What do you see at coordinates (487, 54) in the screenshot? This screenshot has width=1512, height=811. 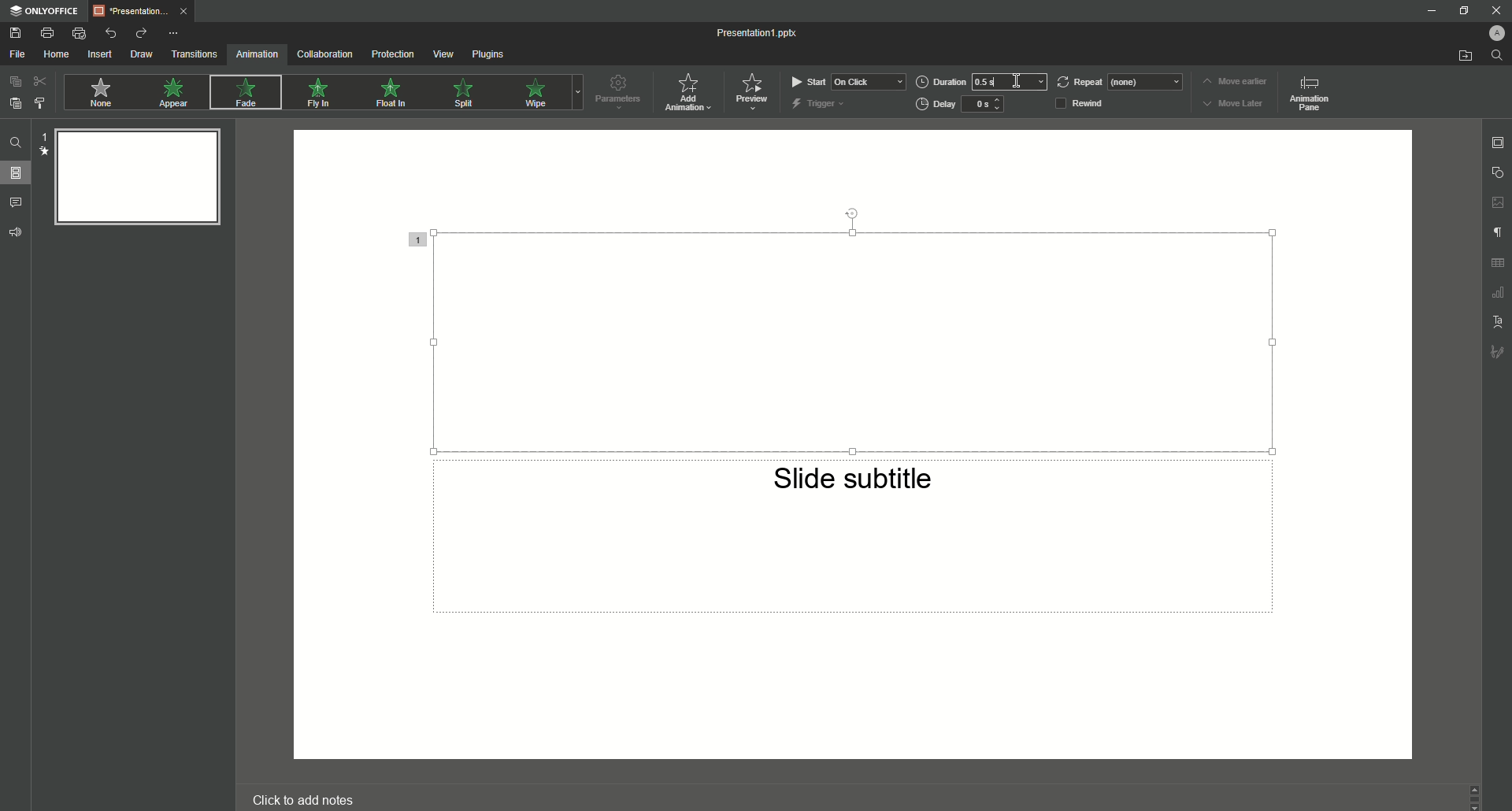 I see `Plugins` at bounding box center [487, 54].